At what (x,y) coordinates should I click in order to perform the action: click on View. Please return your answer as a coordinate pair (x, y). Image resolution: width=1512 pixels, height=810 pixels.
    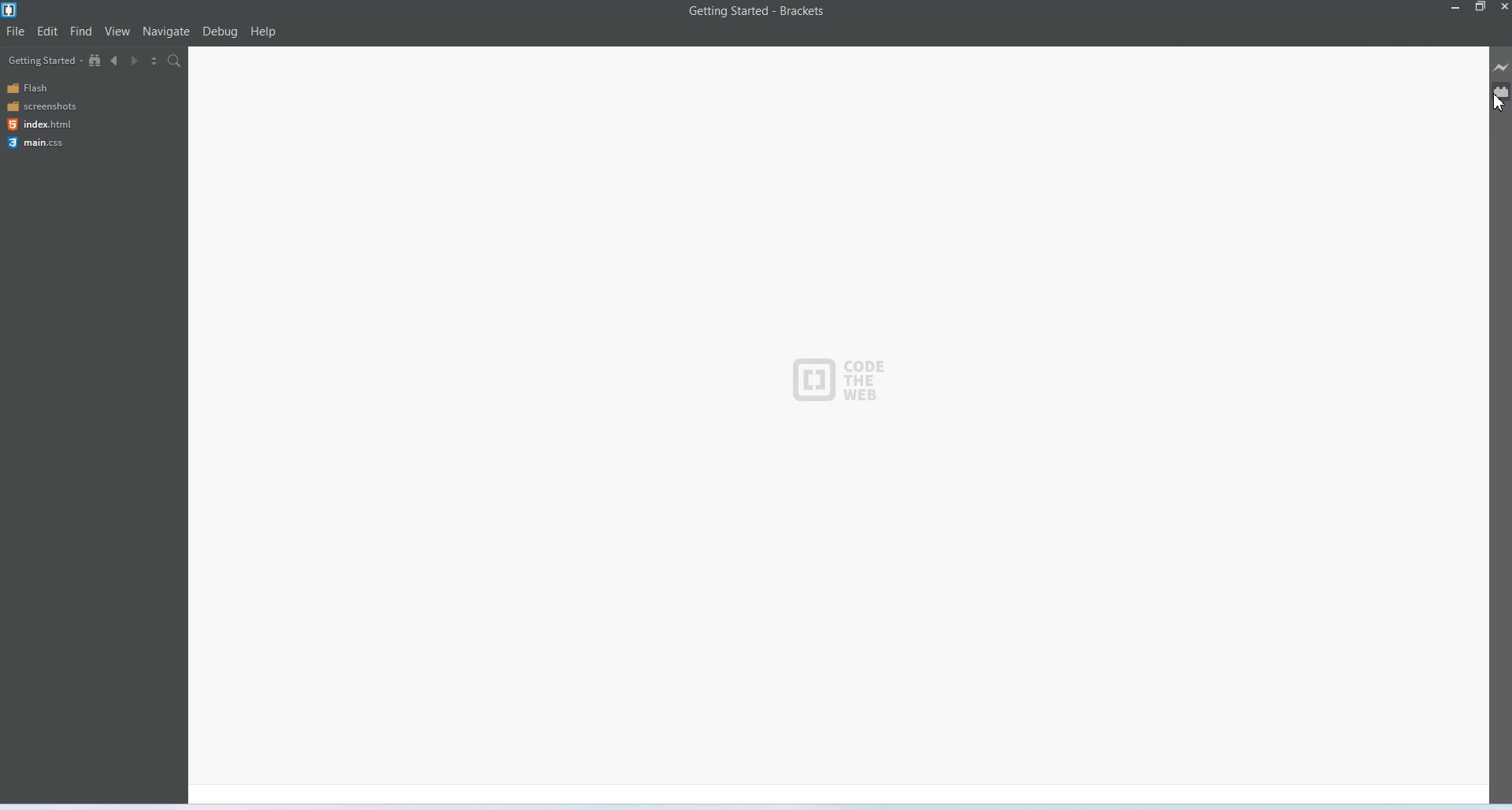
    Looking at the image, I should click on (117, 32).